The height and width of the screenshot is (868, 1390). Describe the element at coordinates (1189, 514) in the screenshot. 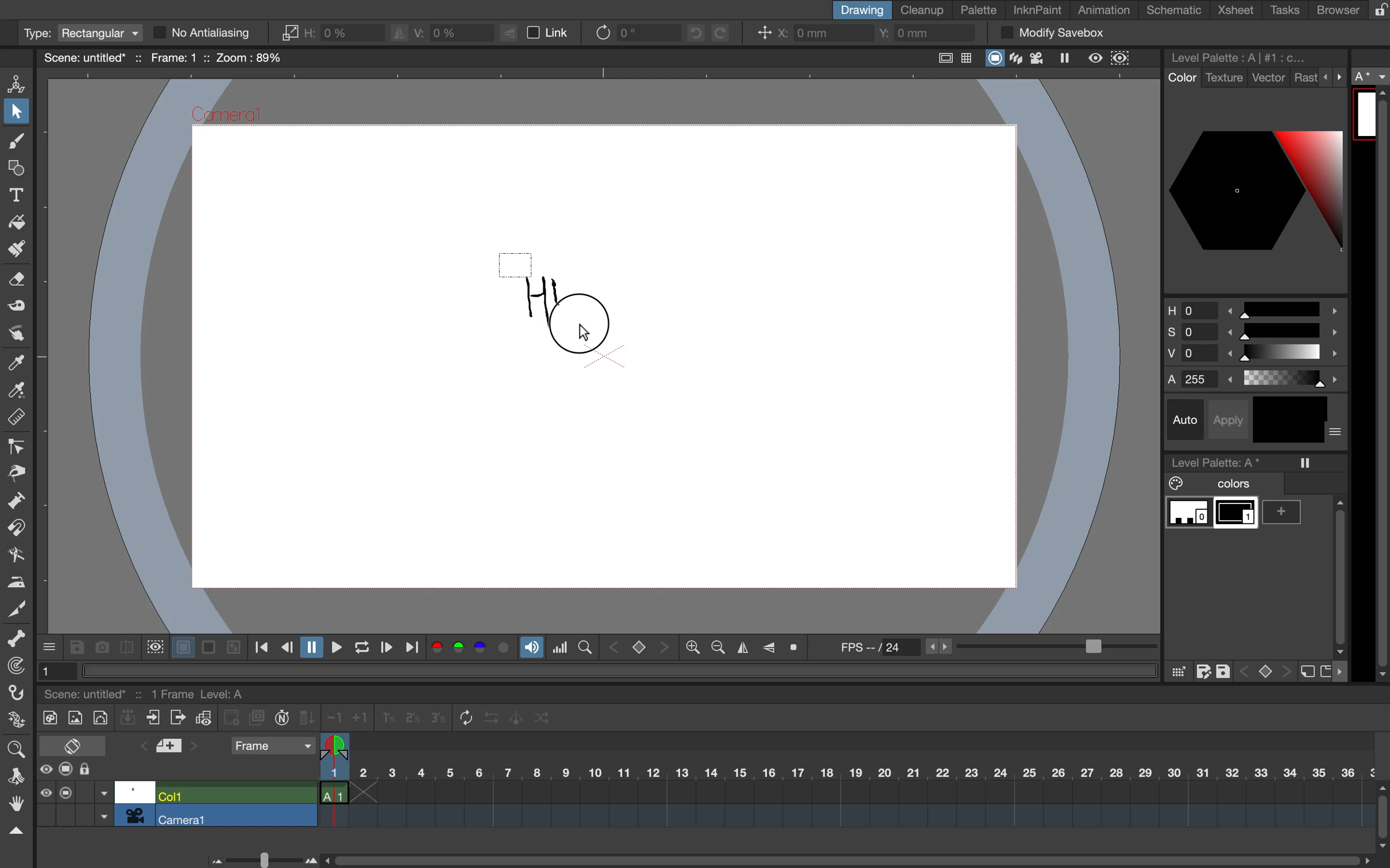

I see `color 0` at that location.